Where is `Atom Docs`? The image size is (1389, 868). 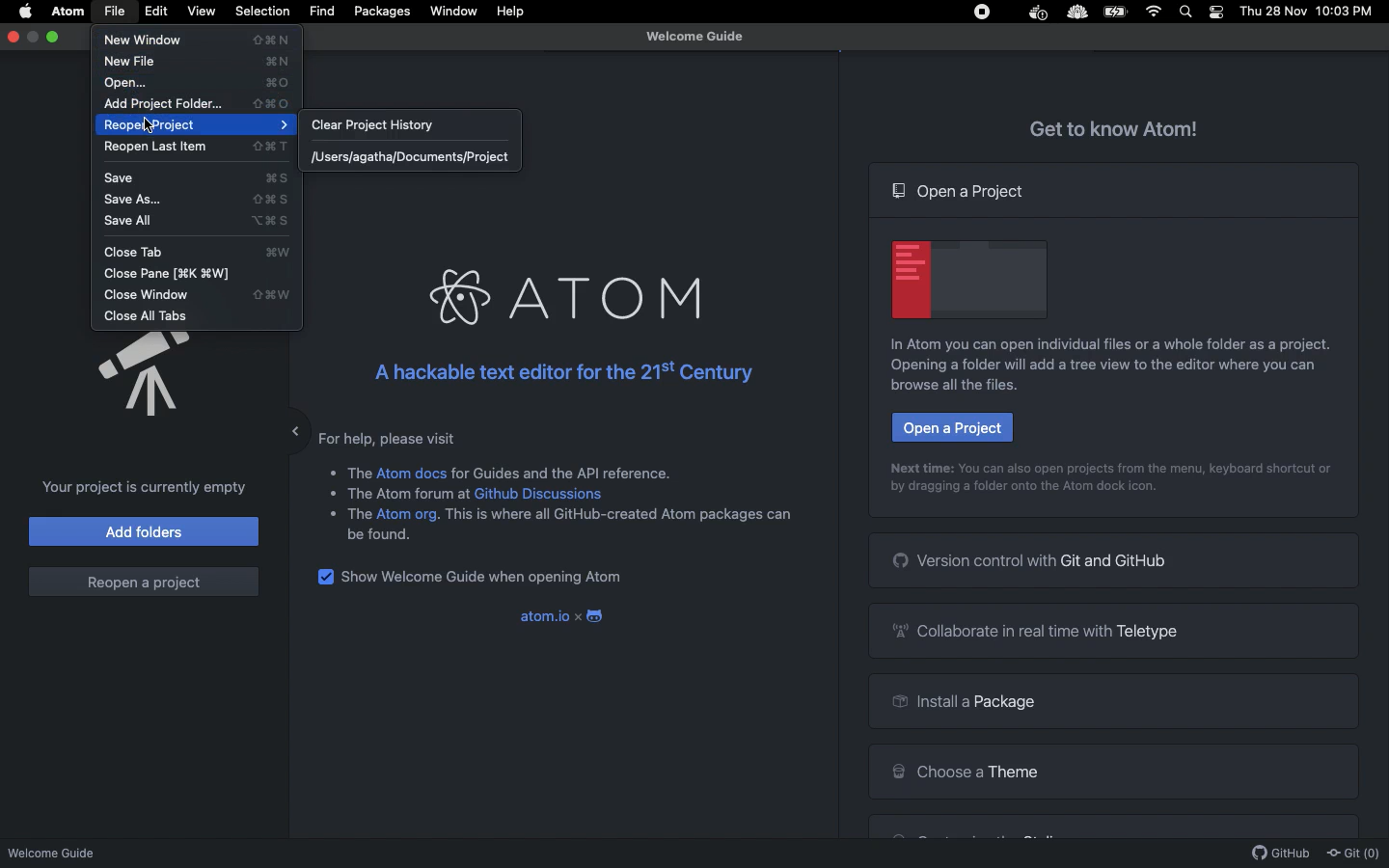
Atom Docs is located at coordinates (412, 472).